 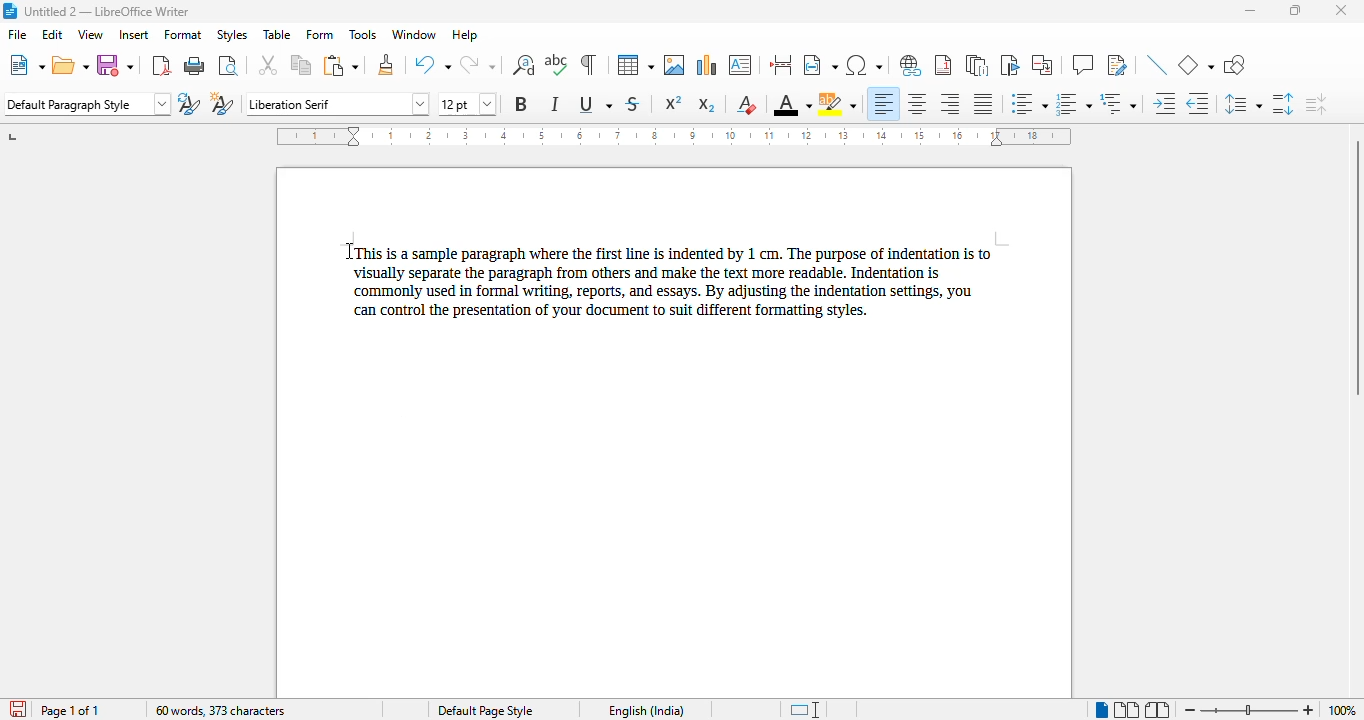 What do you see at coordinates (221, 710) in the screenshot?
I see `word and character count` at bounding box center [221, 710].